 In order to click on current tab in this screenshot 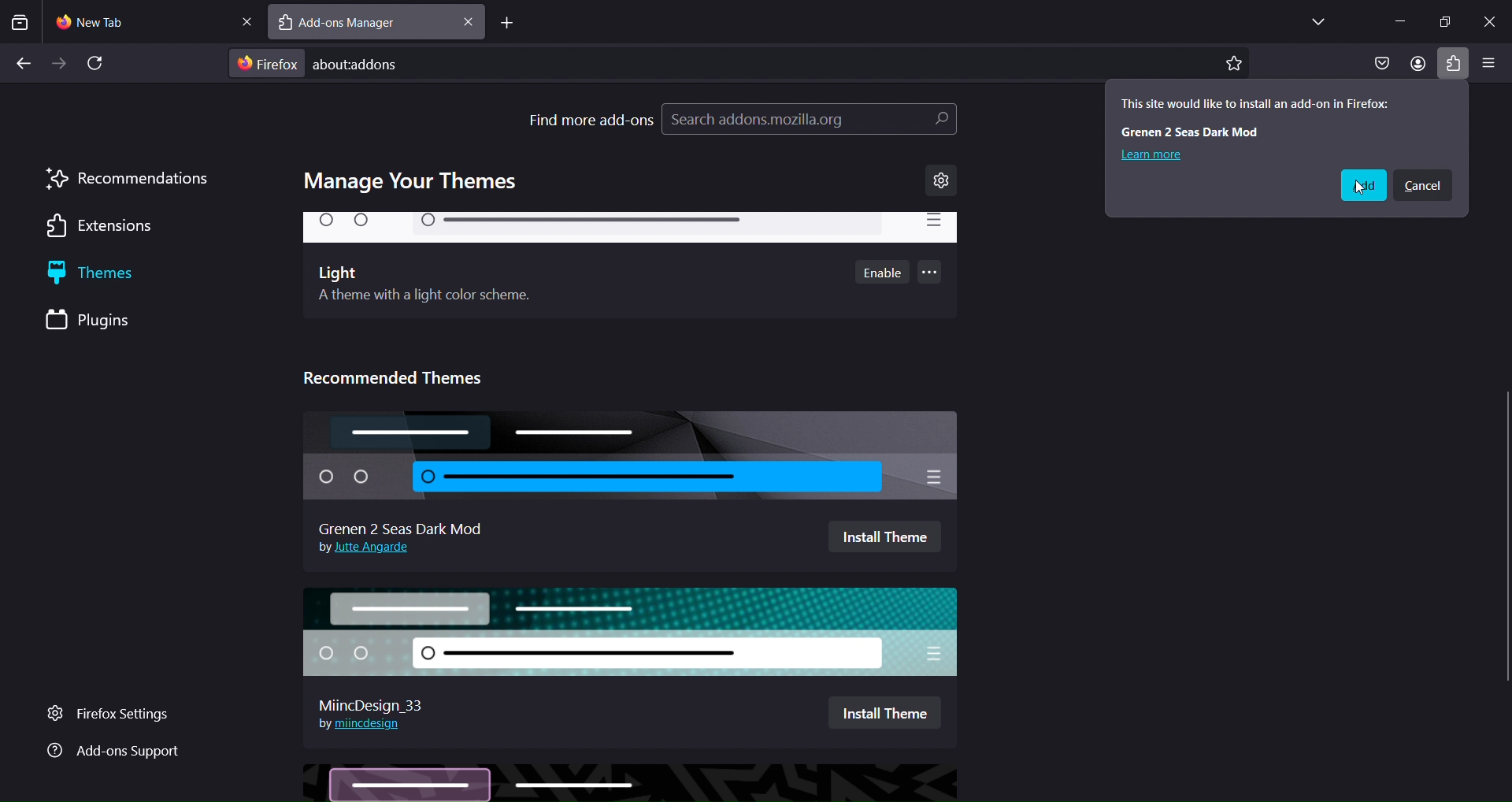, I will do `click(109, 22)`.